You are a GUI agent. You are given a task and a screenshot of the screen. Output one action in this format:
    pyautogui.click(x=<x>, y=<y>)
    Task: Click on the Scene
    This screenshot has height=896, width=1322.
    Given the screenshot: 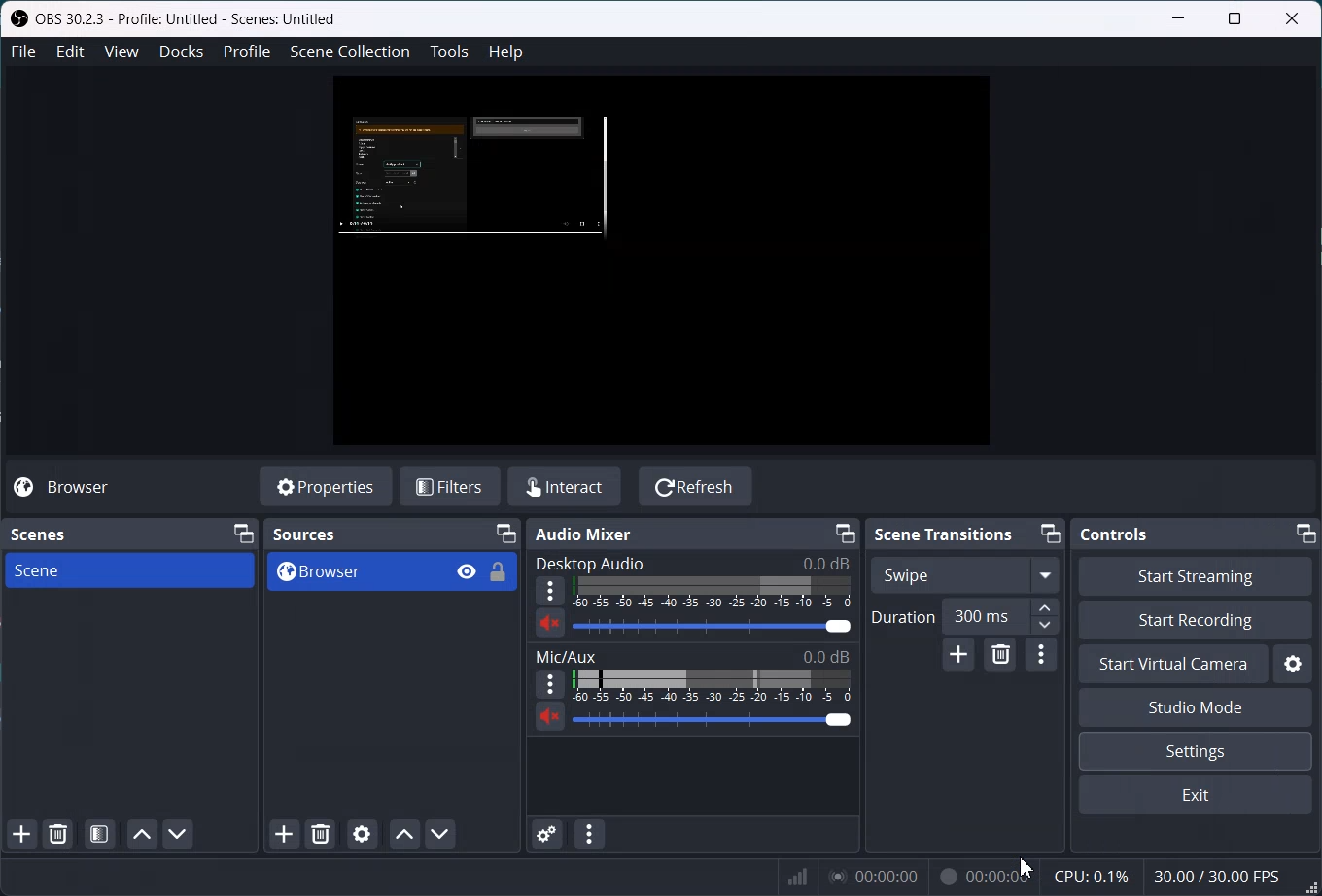 What is the action you would take?
    pyautogui.click(x=130, y=571)
    